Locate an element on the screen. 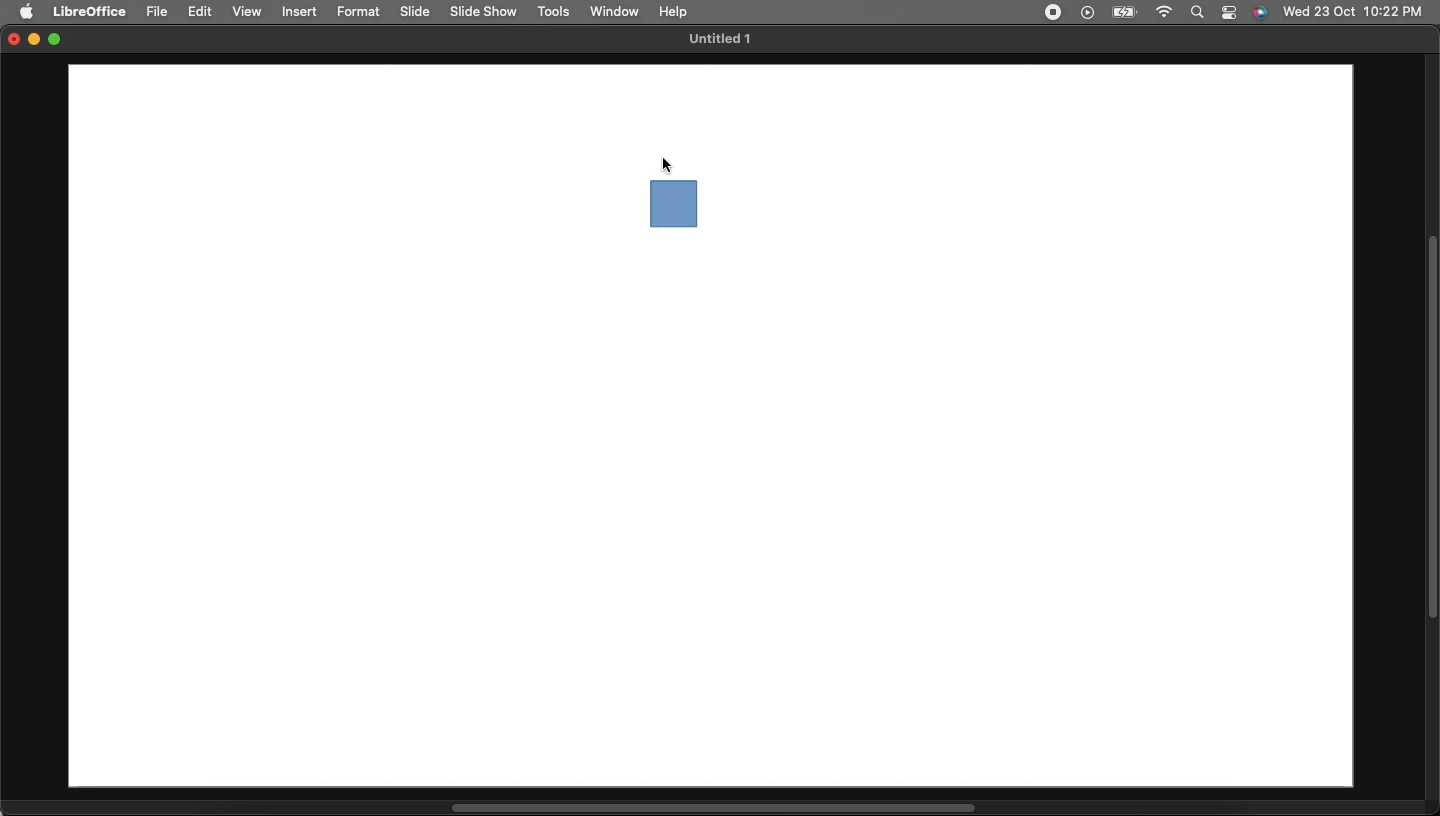 Image resolution: width=1440 pixels, height=816 pixels. Apple logo is located at coordinates (29, 13).